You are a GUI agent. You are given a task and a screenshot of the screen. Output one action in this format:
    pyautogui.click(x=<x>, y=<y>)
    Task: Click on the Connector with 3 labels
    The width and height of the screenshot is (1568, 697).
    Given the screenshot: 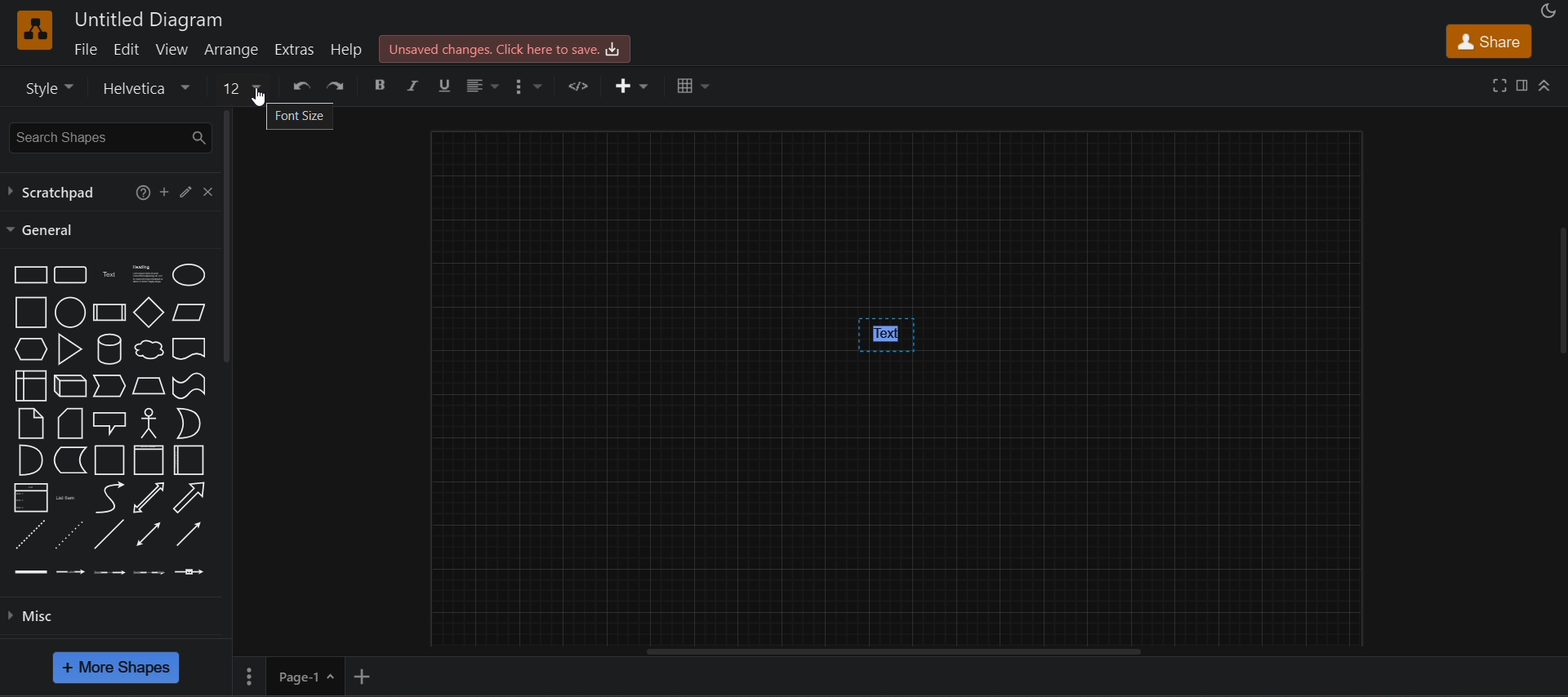 What is the action you would take?
    pyautogui.click(x=149, y=573)
    